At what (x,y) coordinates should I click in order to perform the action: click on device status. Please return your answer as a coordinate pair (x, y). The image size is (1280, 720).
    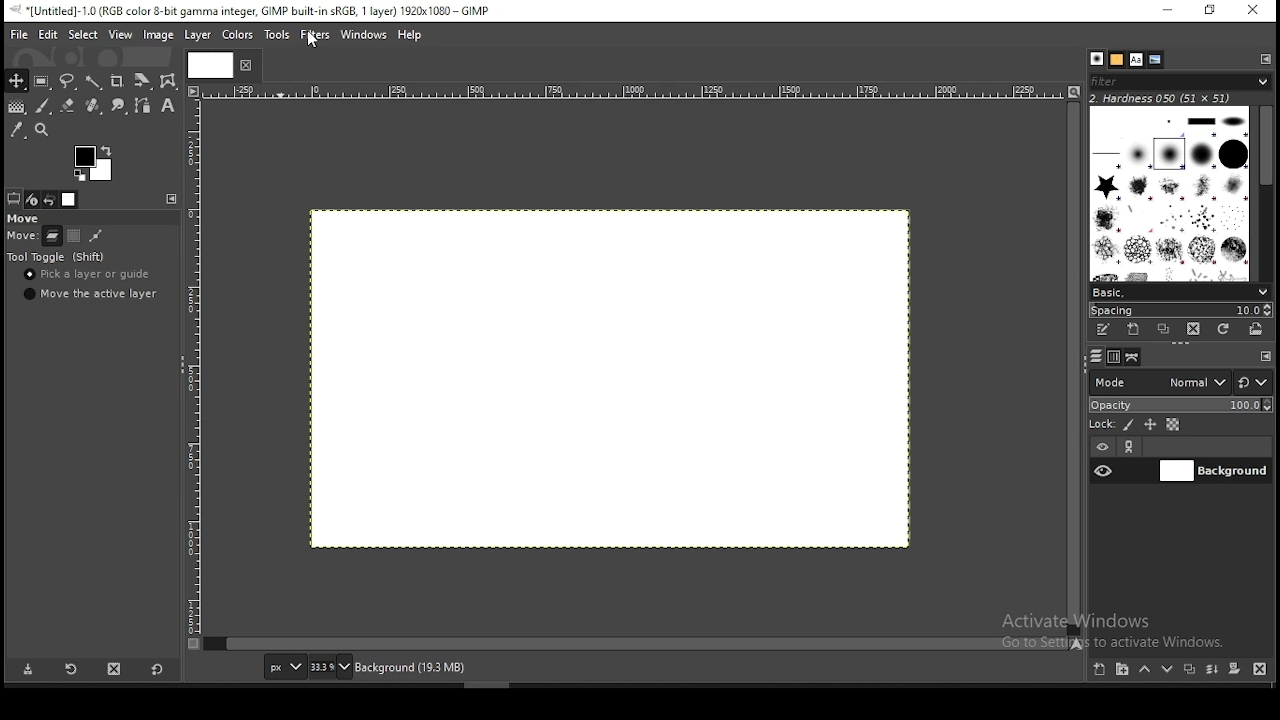
    Looking at the image, I should click on (32, 199).